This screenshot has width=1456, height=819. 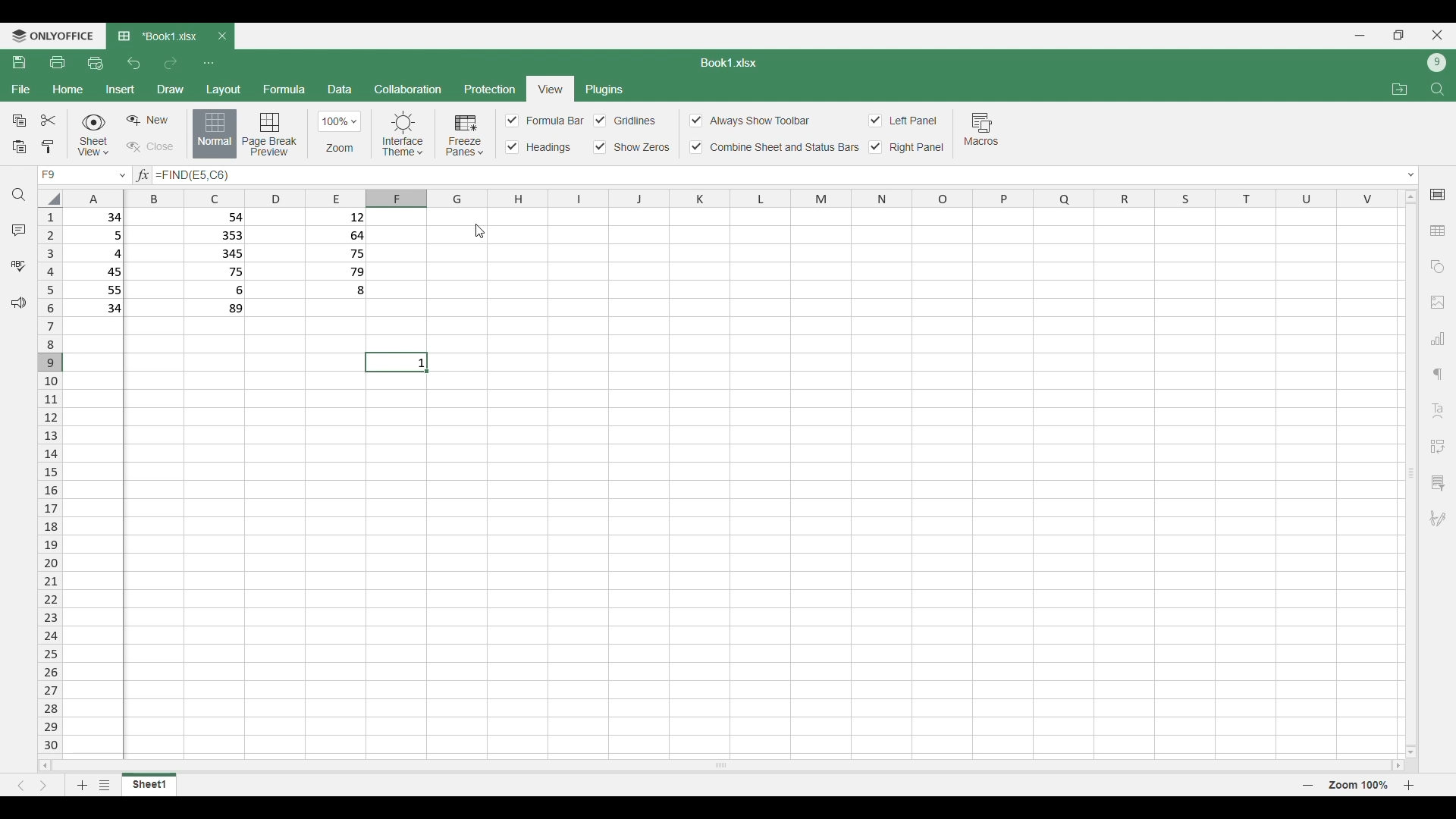 What do you see at coordinates (1409, 786) in the screenshot?
I see `Page zoom in` at bounding box center [1409, 786].